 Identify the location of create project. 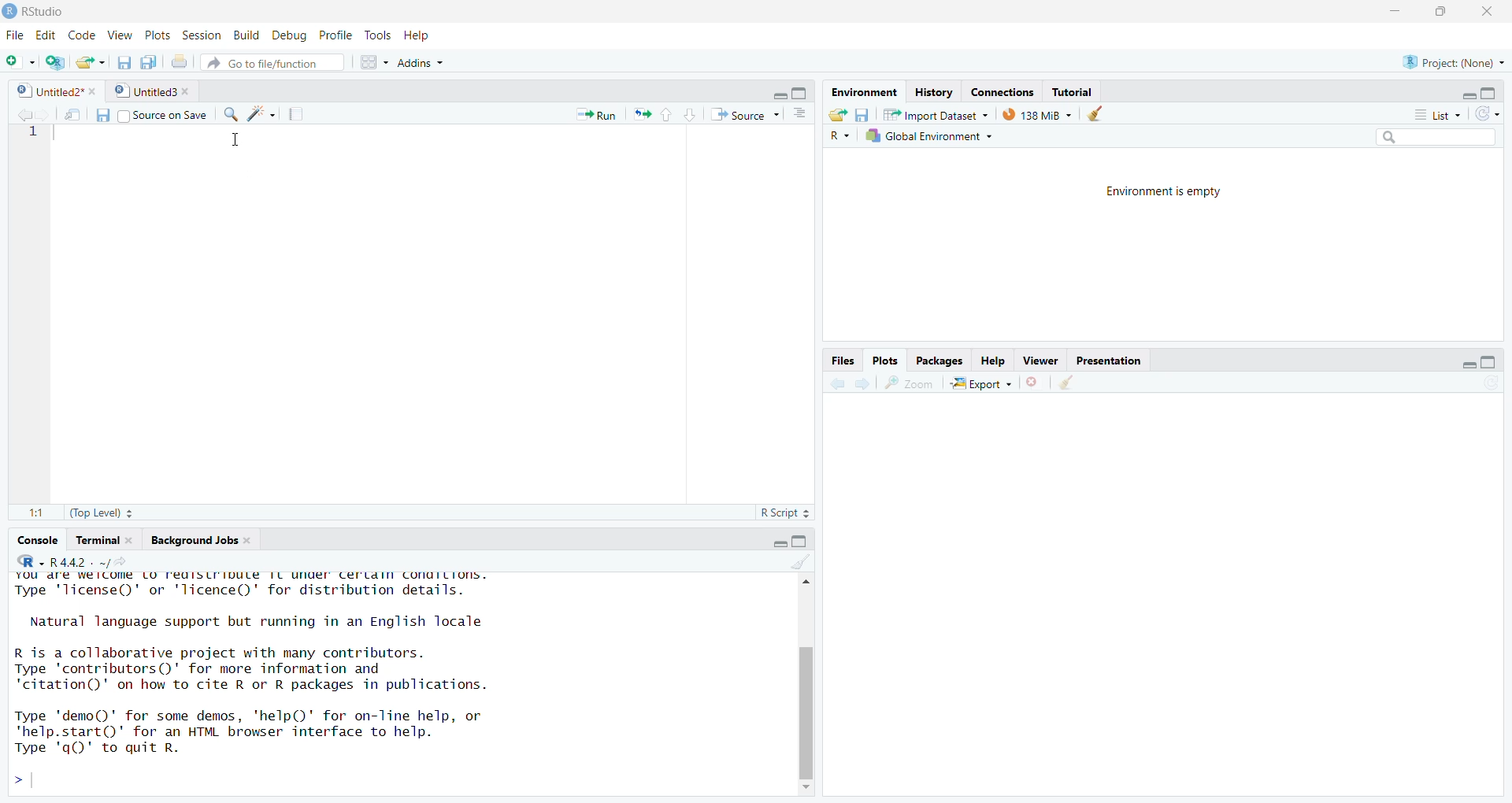
(54, 62).